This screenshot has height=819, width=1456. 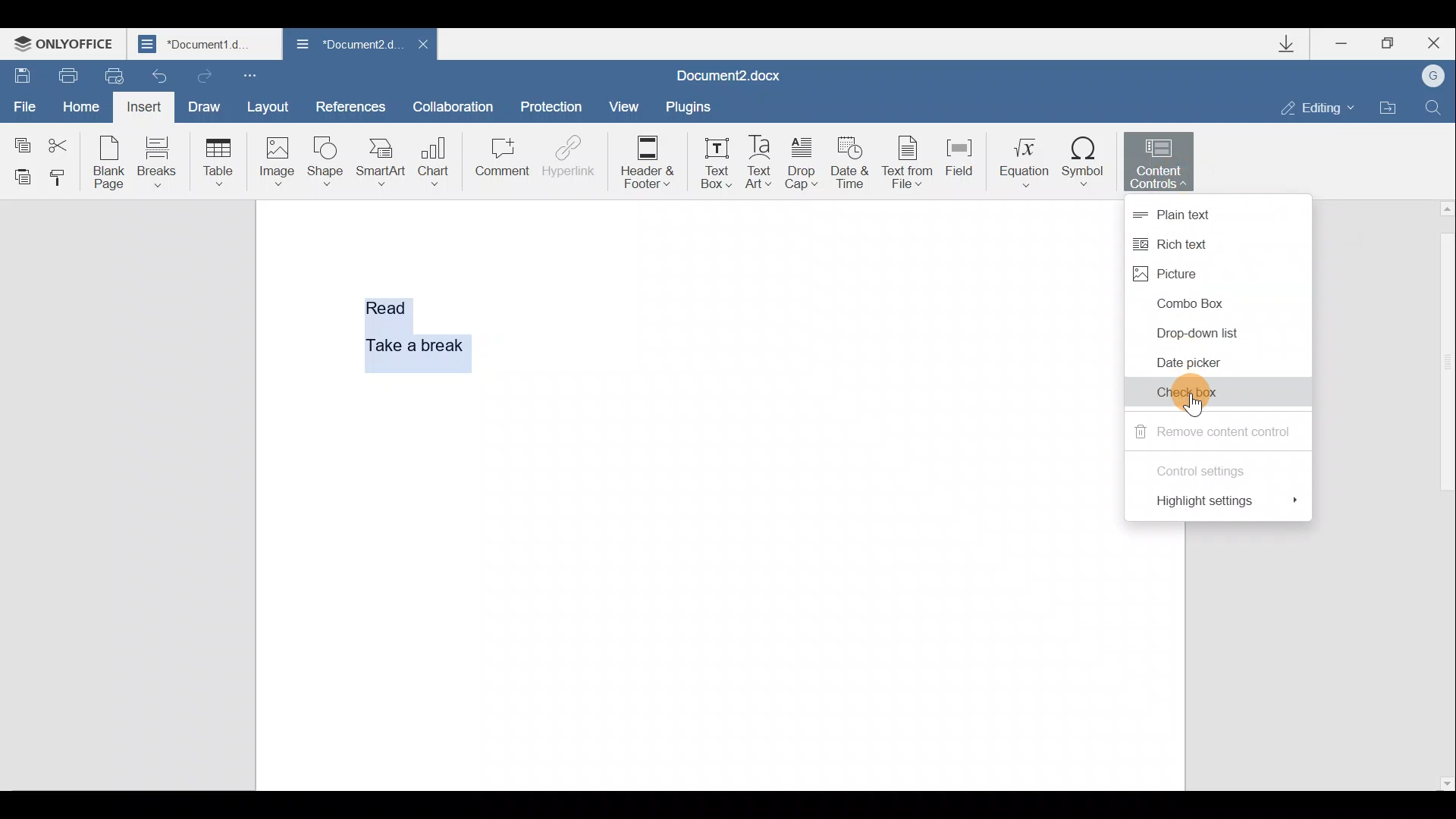 I want to click on Image, so click(x=276, y=161).